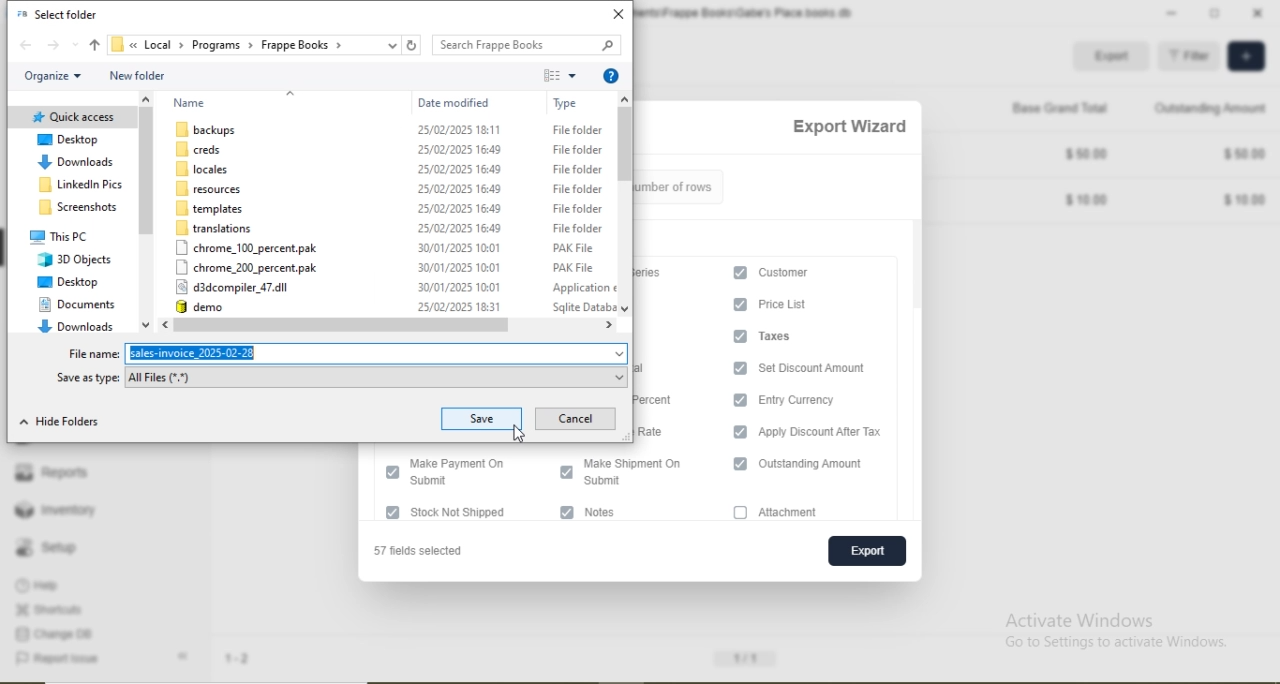  I want to click on Select folder, so click(67, 14).